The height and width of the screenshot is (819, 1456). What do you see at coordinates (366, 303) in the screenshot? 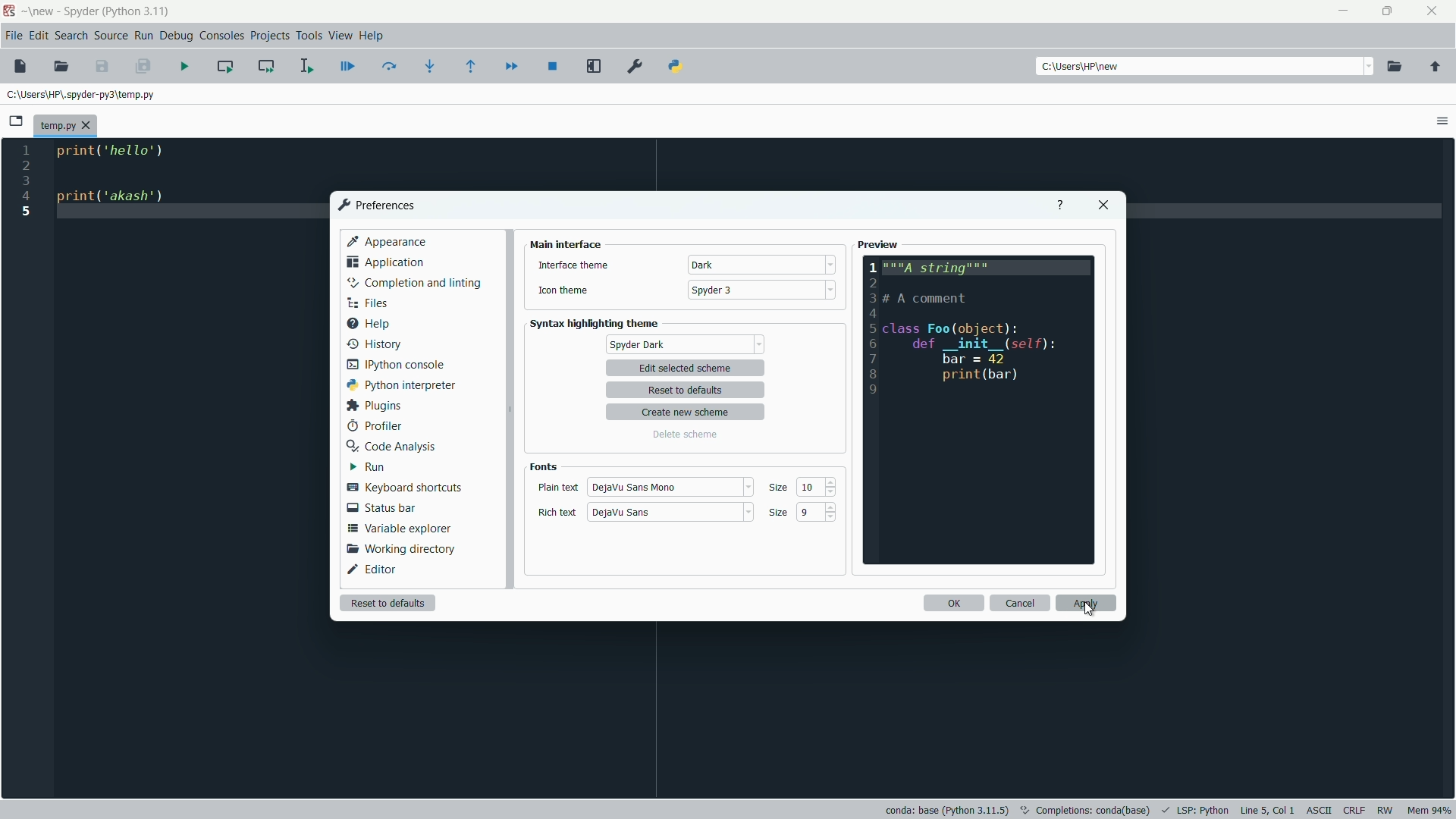
I see `files` at bounding box center [366, 303].